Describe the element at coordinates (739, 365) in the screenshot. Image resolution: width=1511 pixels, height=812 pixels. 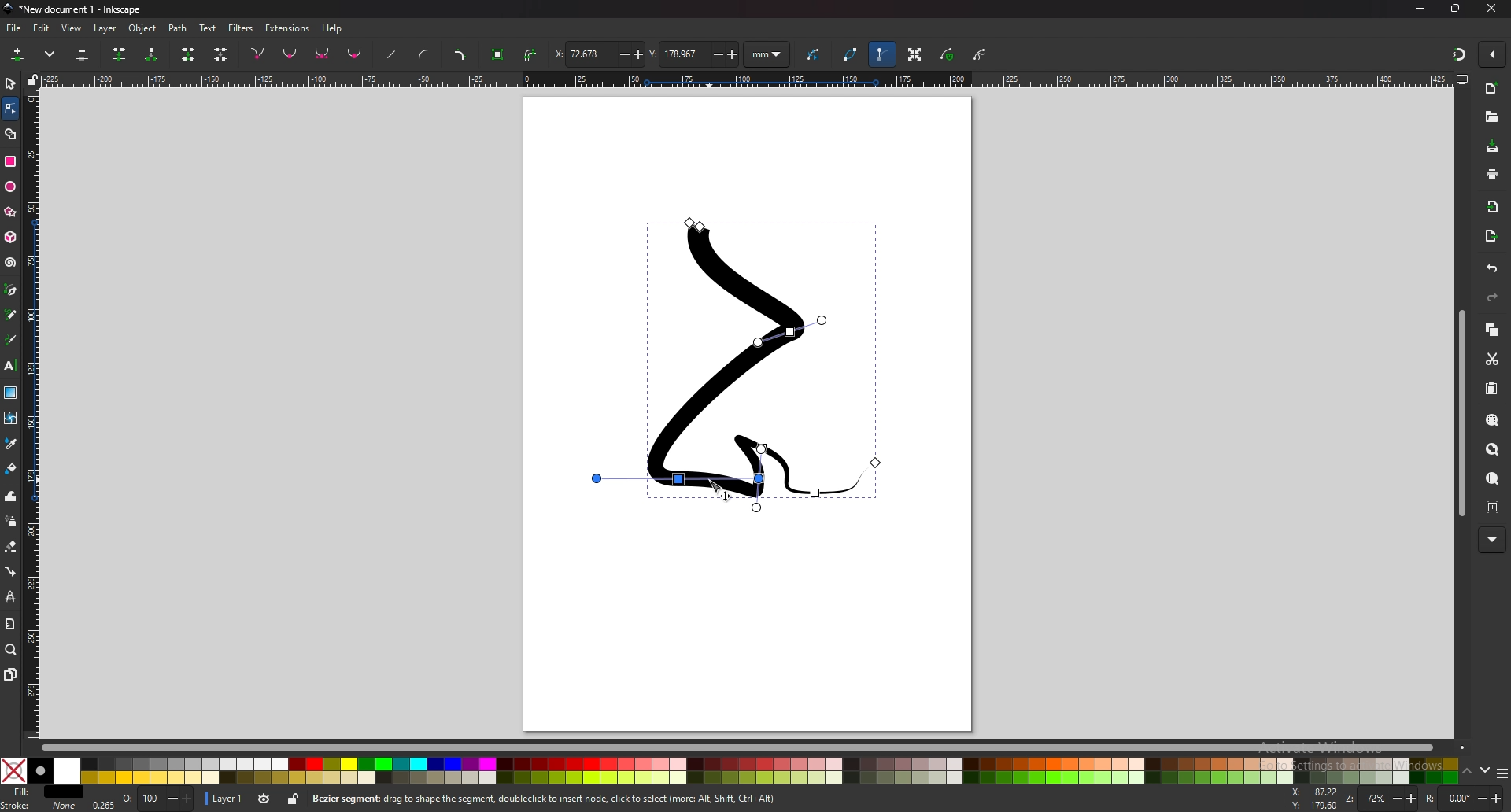
I see `drawing` at that location.